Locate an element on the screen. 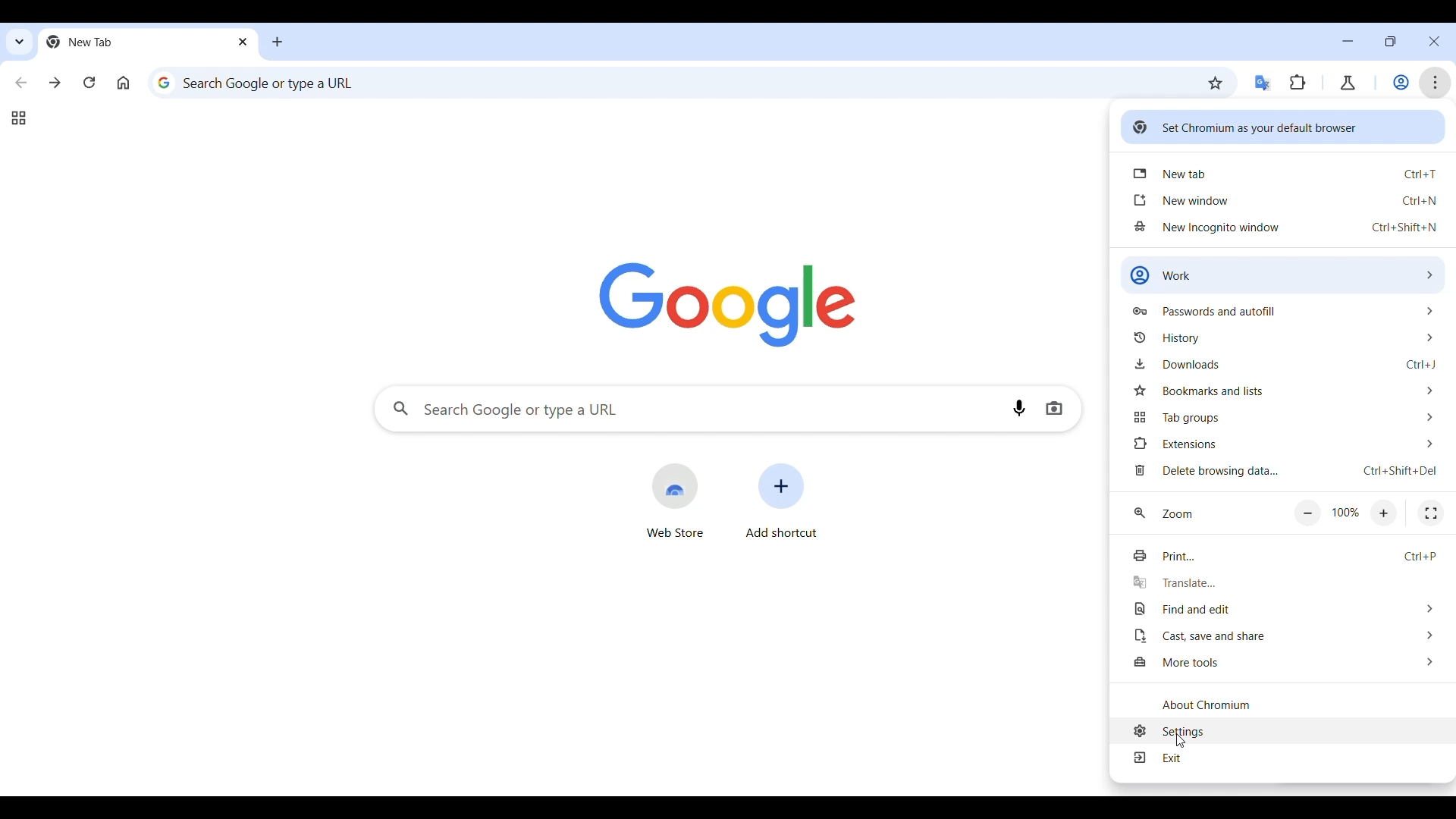 Image resolution: width=1456 pixels, height=819 pixels. Find and edit options is located at coordinates (1286, 608).